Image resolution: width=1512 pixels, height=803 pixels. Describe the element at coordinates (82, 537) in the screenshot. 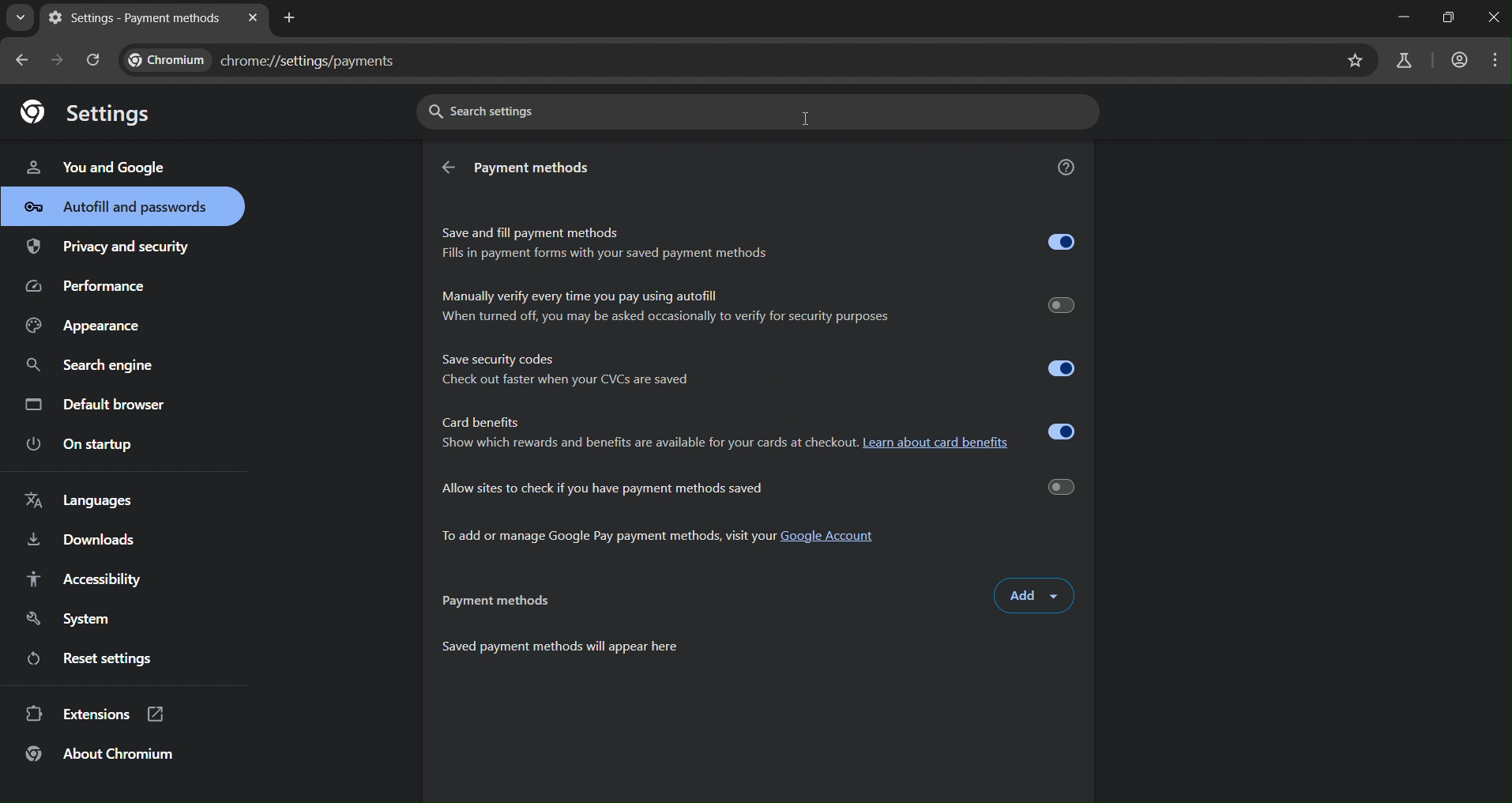

I see `downloads` at that location.